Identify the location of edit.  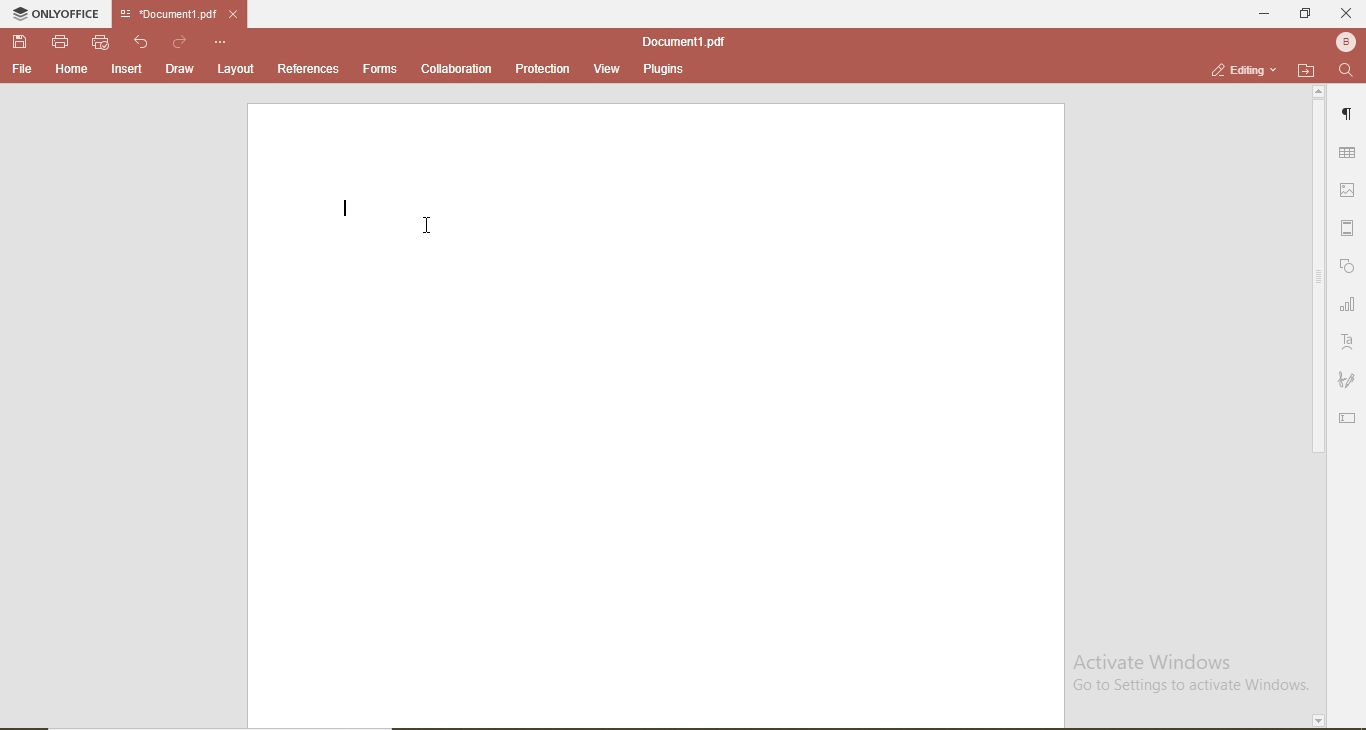
(1350, 418).